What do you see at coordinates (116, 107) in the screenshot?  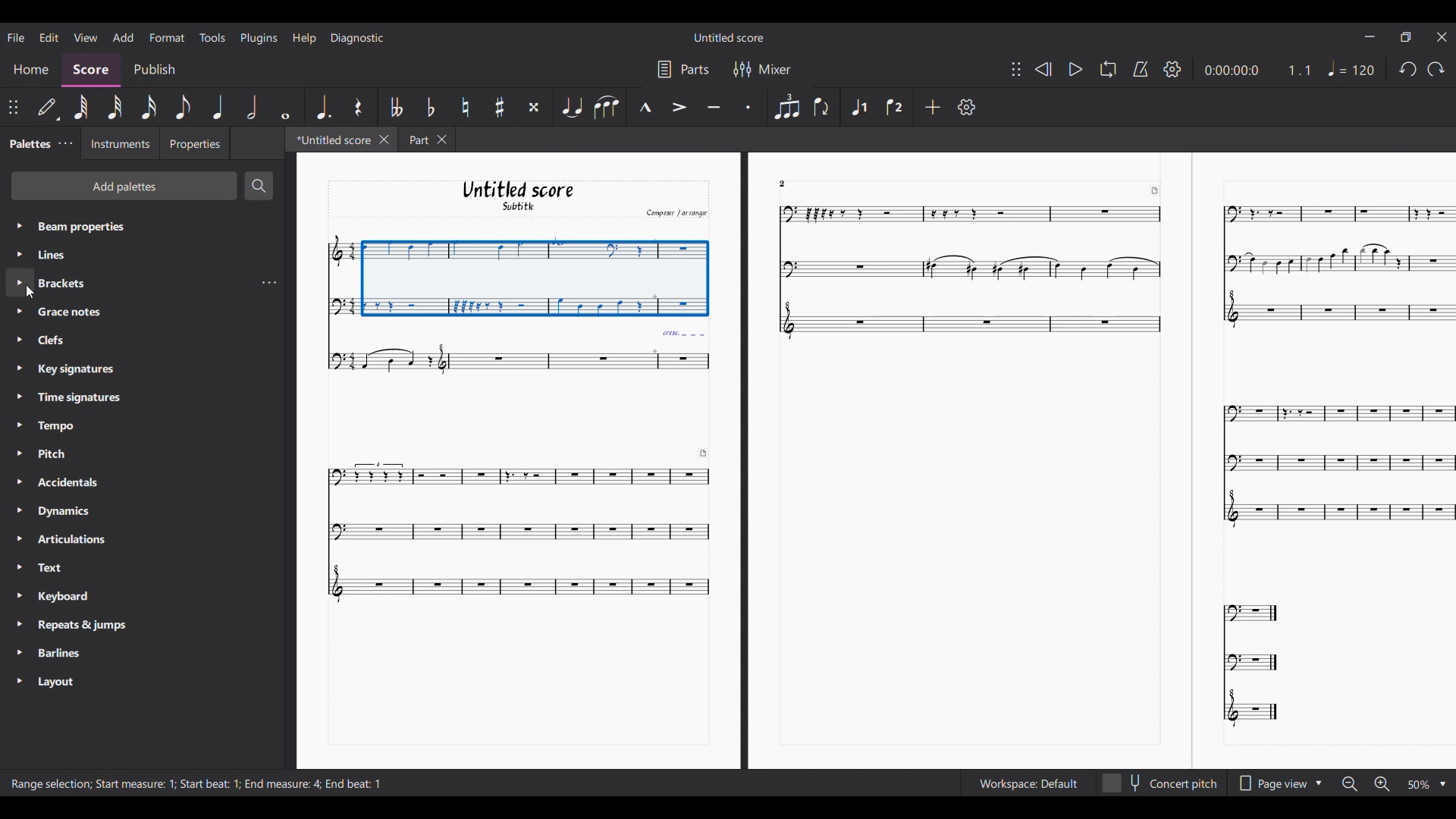 I see `32nd note` at bounding box center [116, 107].